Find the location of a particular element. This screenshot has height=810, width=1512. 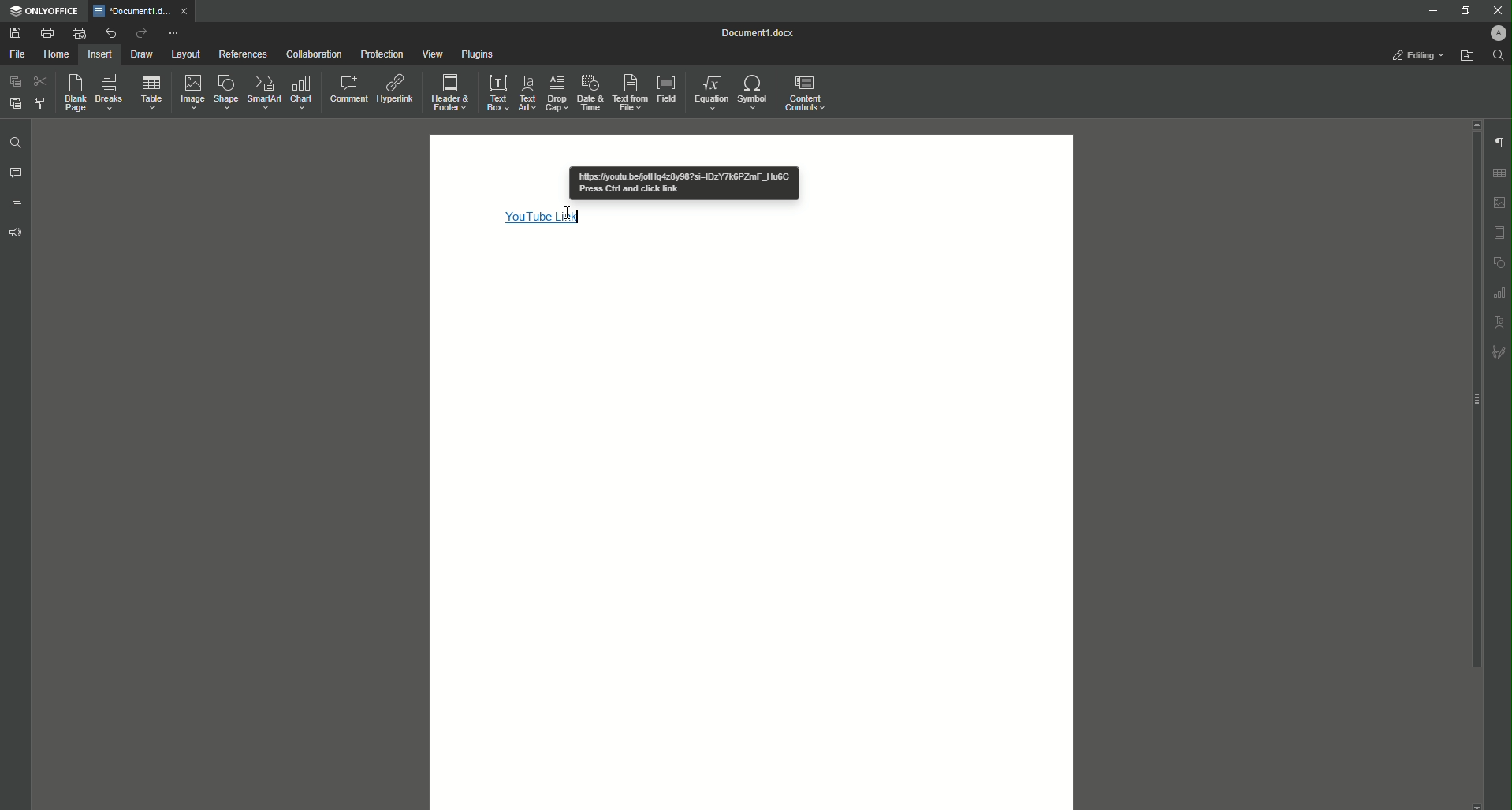

insertion cursor is located at coordinates (570, 213).